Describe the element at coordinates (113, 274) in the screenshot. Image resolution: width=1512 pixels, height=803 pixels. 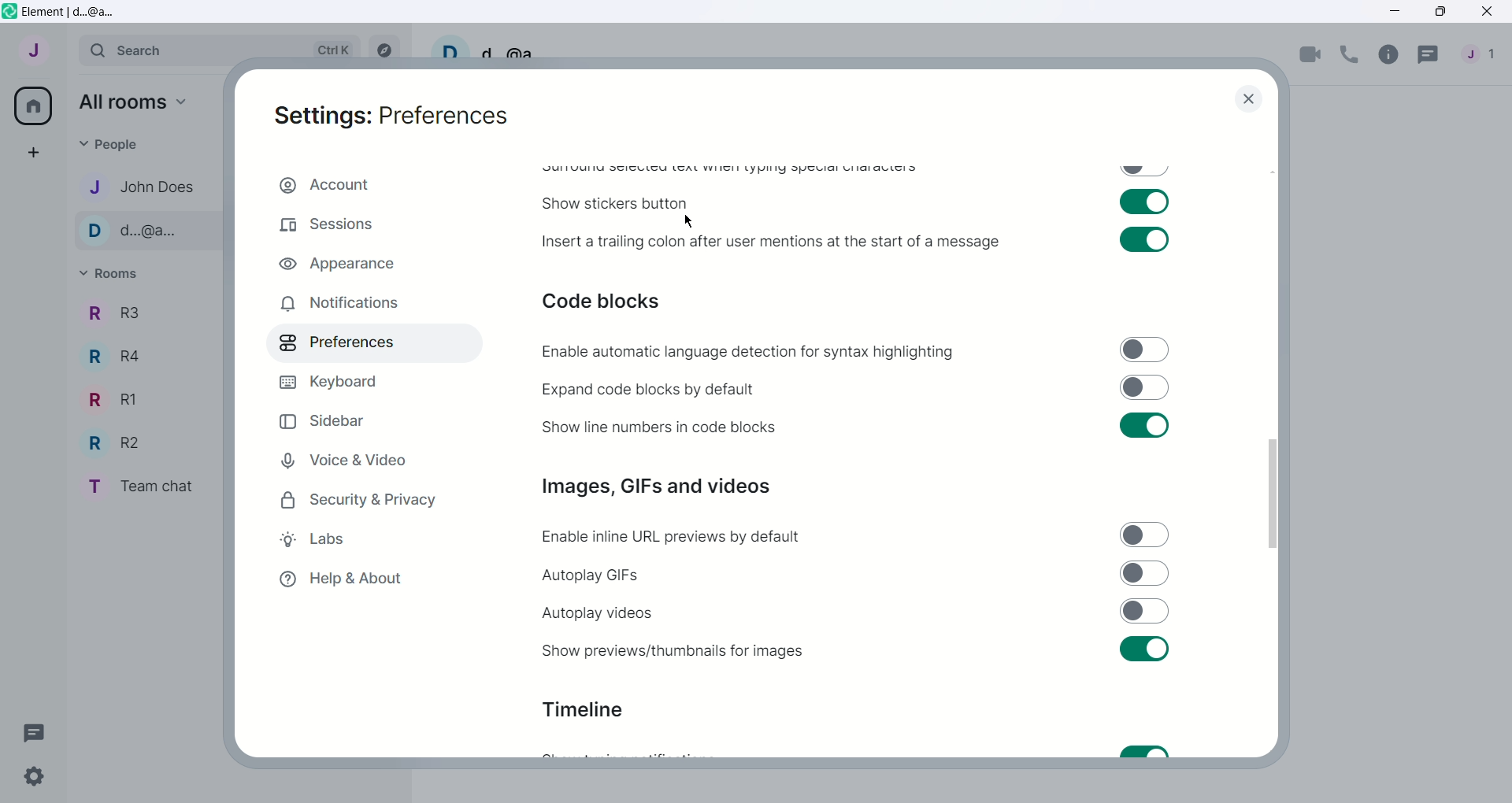
I see `Rooms` at that location.